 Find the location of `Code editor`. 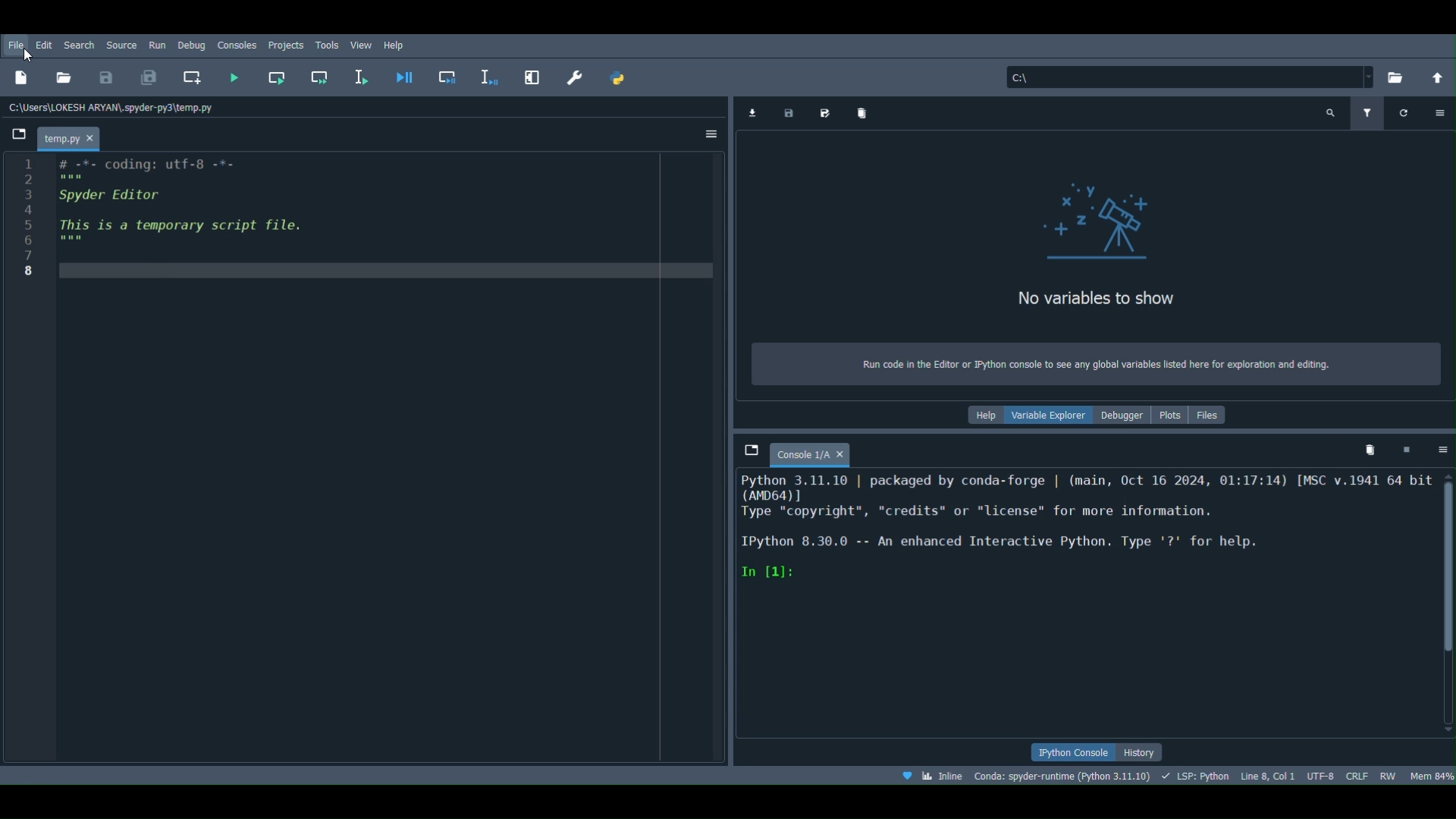

Code editor is located at coordinates (366, 460).